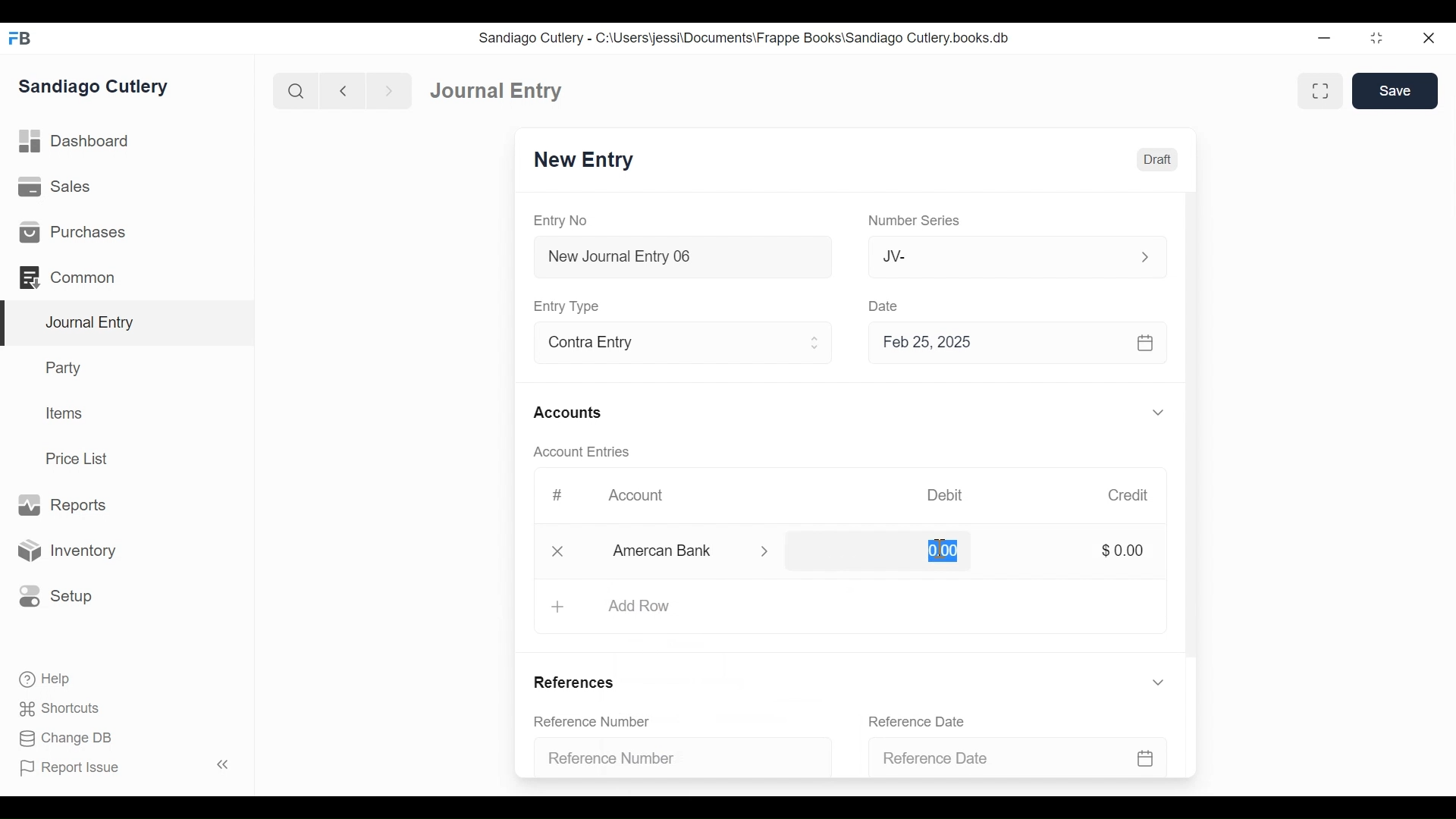 The image size is (1456, 819). I want to click on Help, so click(43, 678).